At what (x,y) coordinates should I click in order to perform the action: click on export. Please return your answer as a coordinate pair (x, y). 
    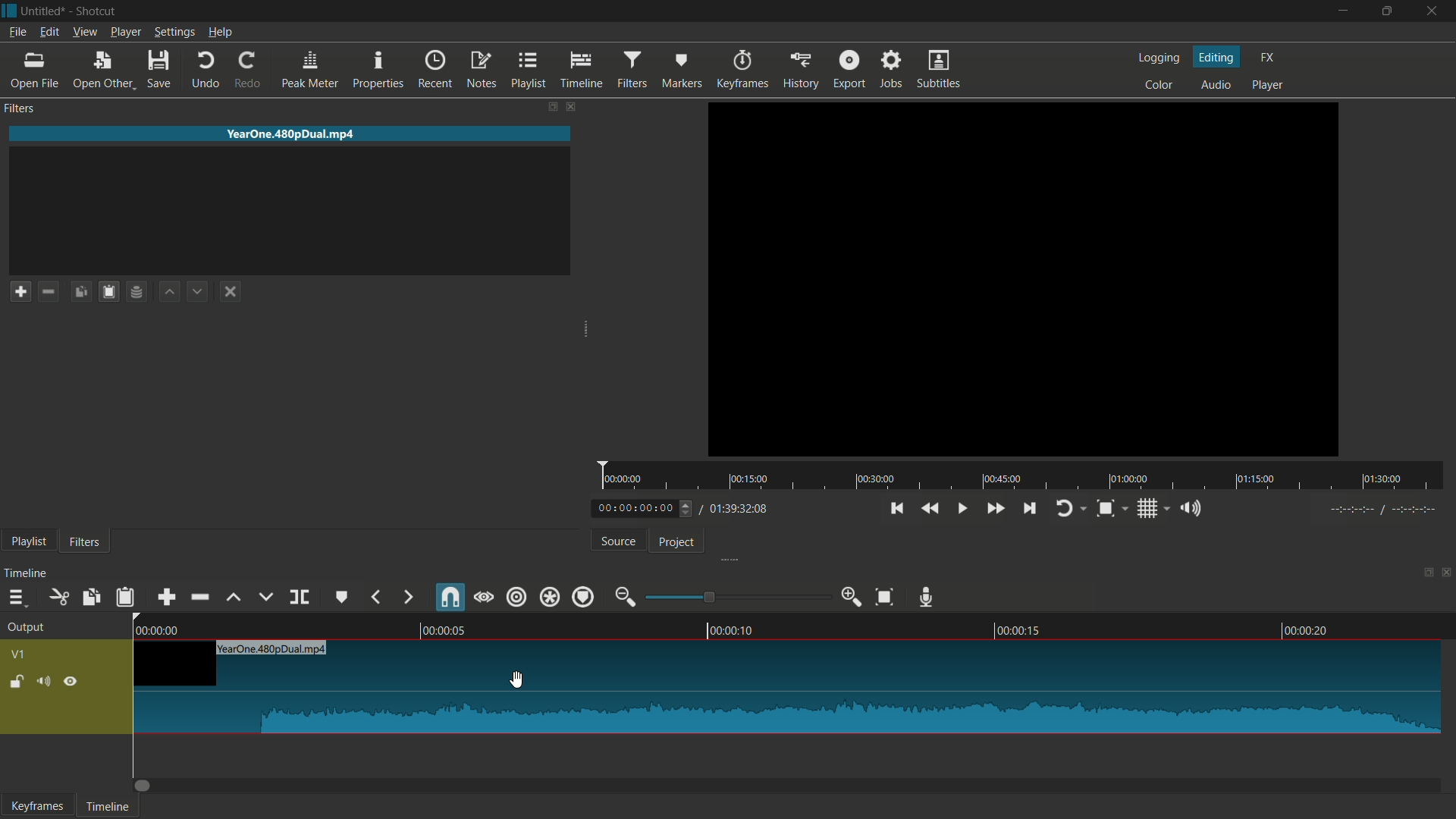
    Looking at the image, I should click on (852, 69).